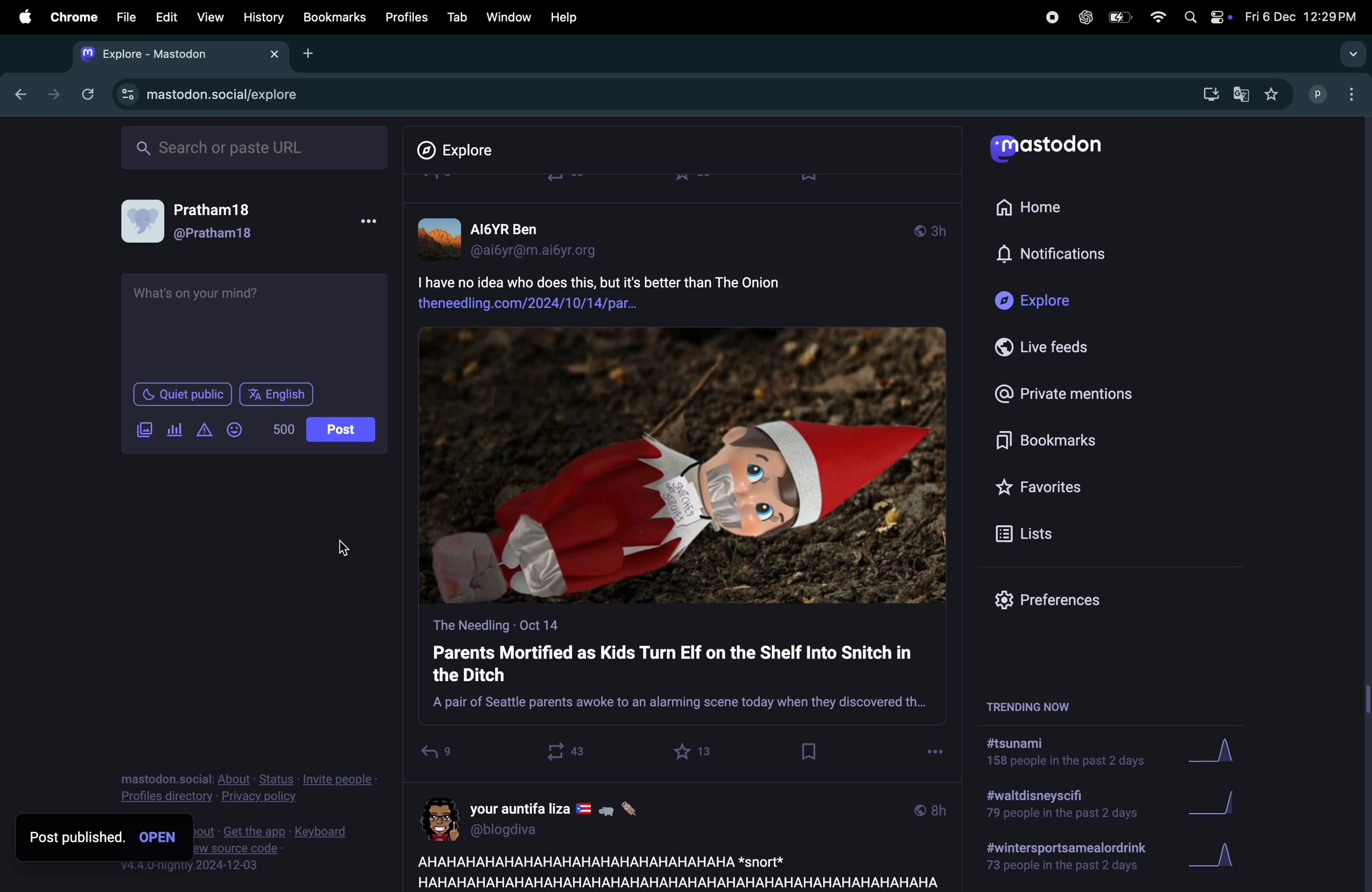  I want to click on favourite, so click(695, 751).